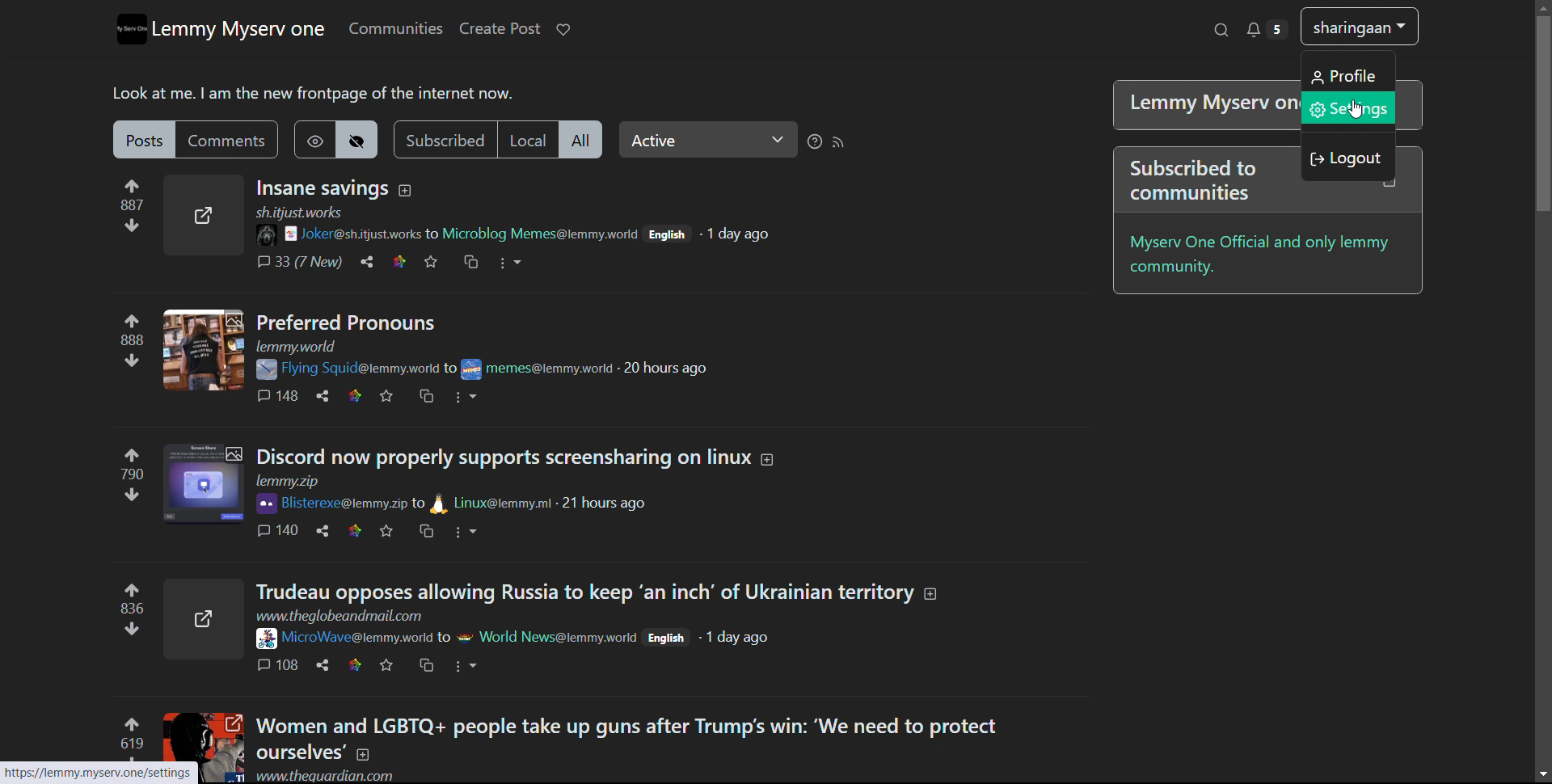 The width and height of the screenshot is (1552, 784). I want to click on expand here, so click(202, 747).